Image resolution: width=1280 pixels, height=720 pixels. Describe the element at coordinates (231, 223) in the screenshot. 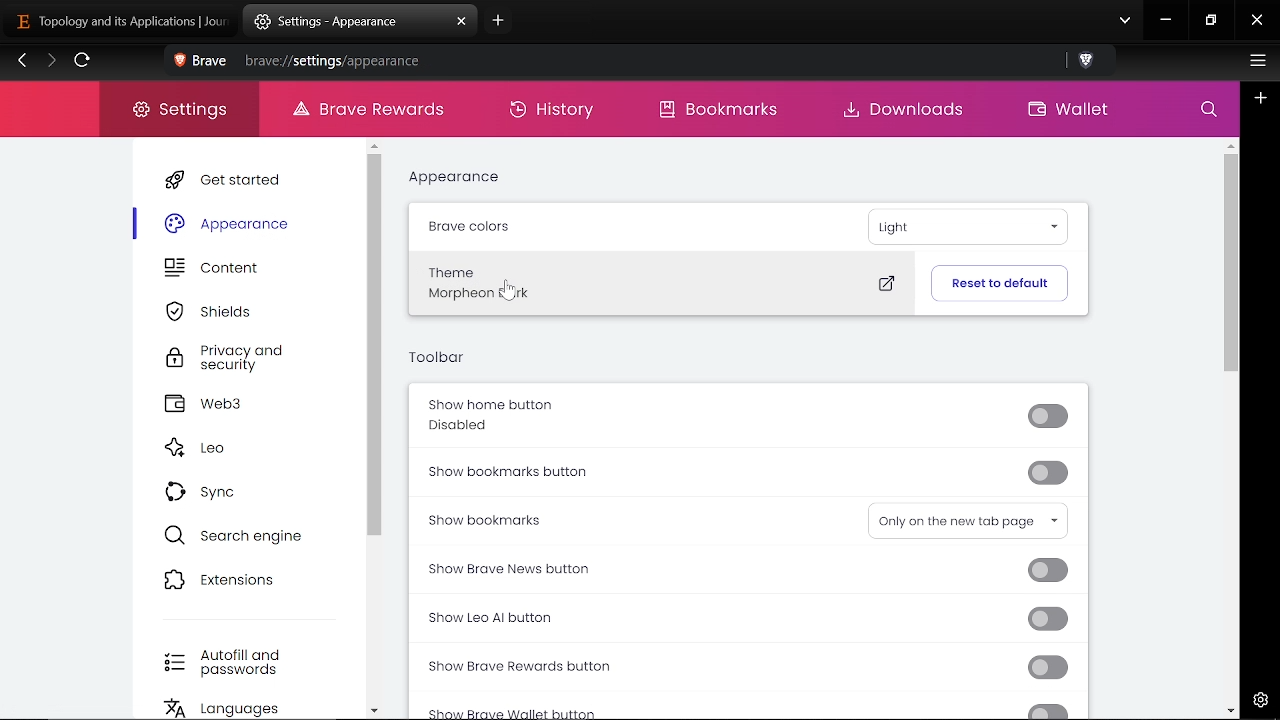

I see `Appearences` at that location.